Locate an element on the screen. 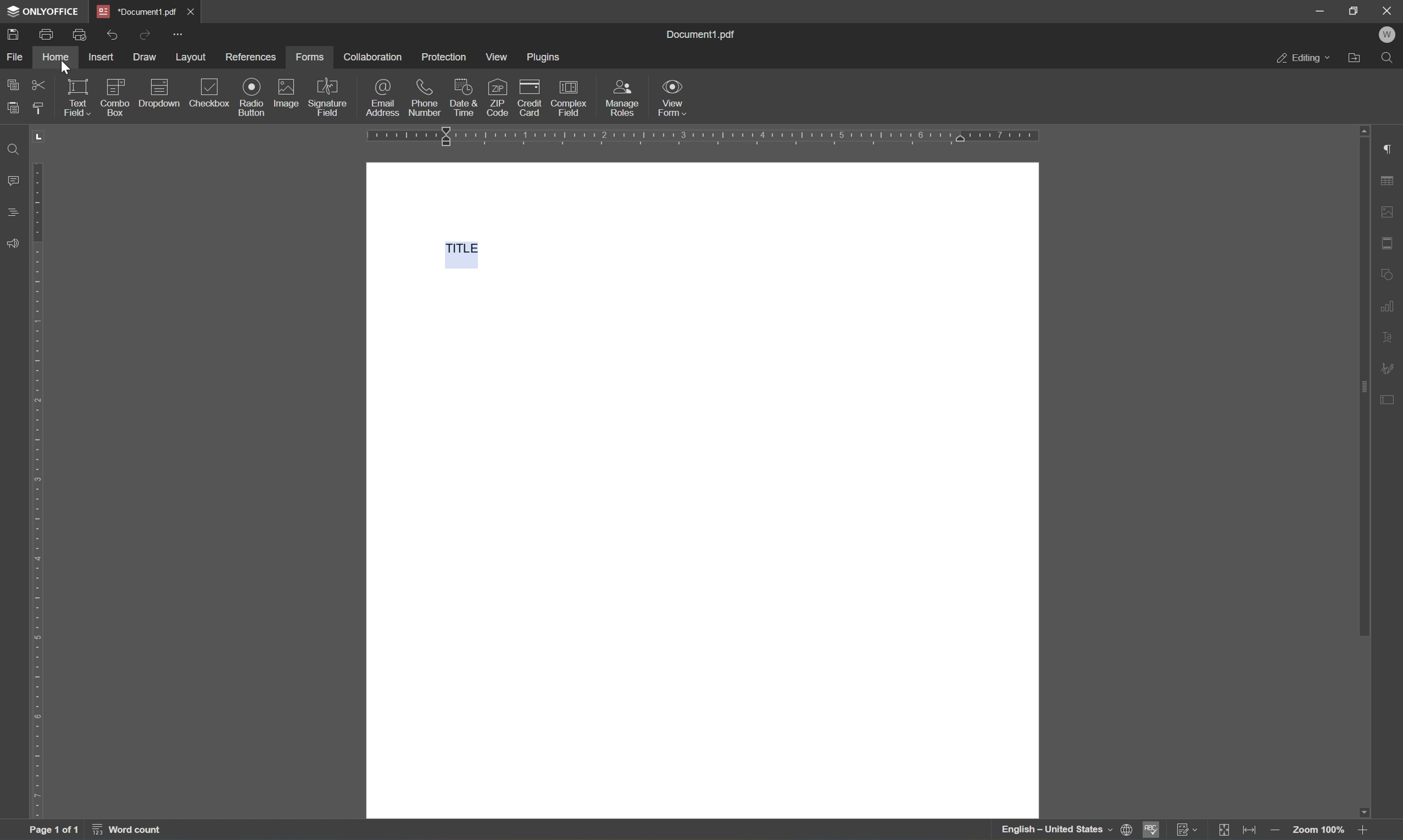 Image resolution: width=1403 pixels, height=840 pixels. dropdown is located at coordinates (162, 92).